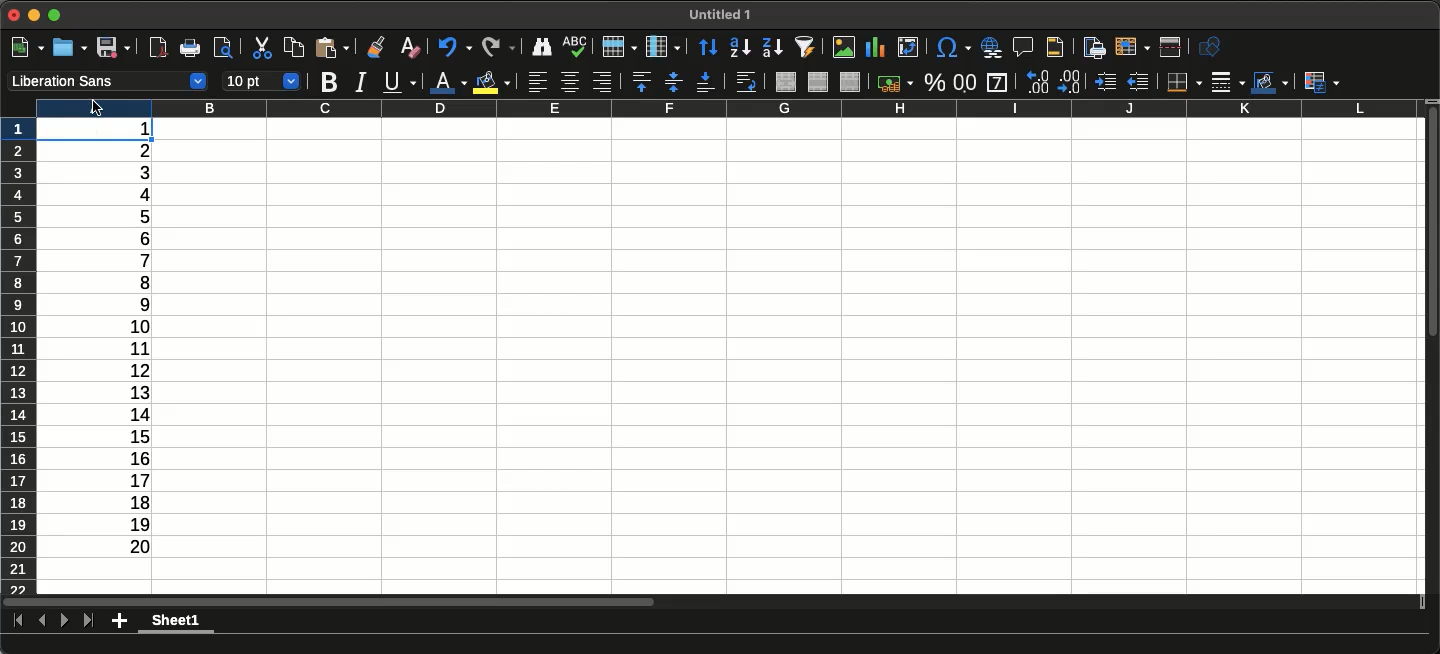 The image size is (1440, 654). Describe the element at coordinates (670, 81) in the screenshot. I see `Center vertically` at that location.